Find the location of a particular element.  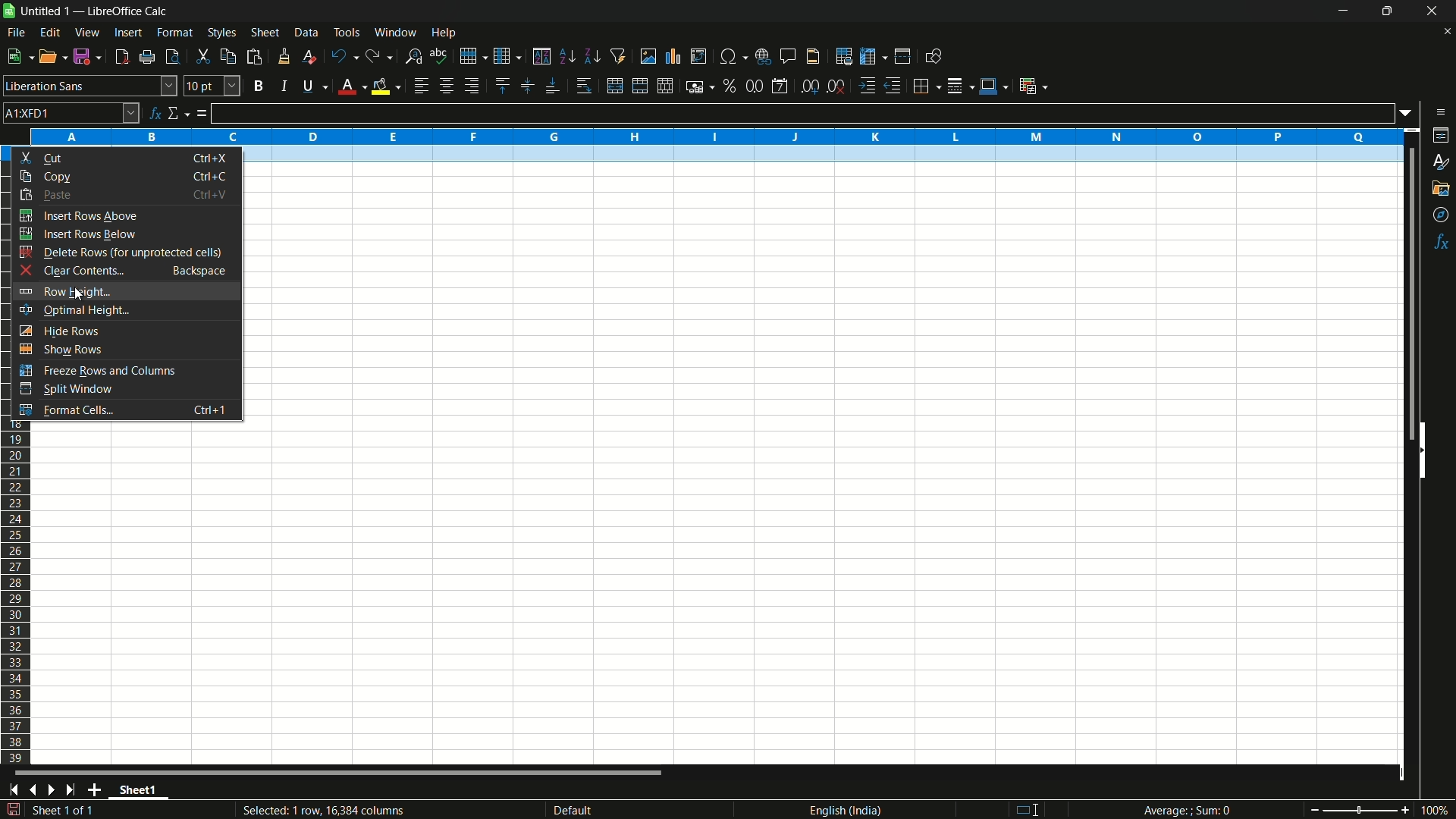

| Untitled 1 — LibreOffice Calc is located at coordinates (92, 10).